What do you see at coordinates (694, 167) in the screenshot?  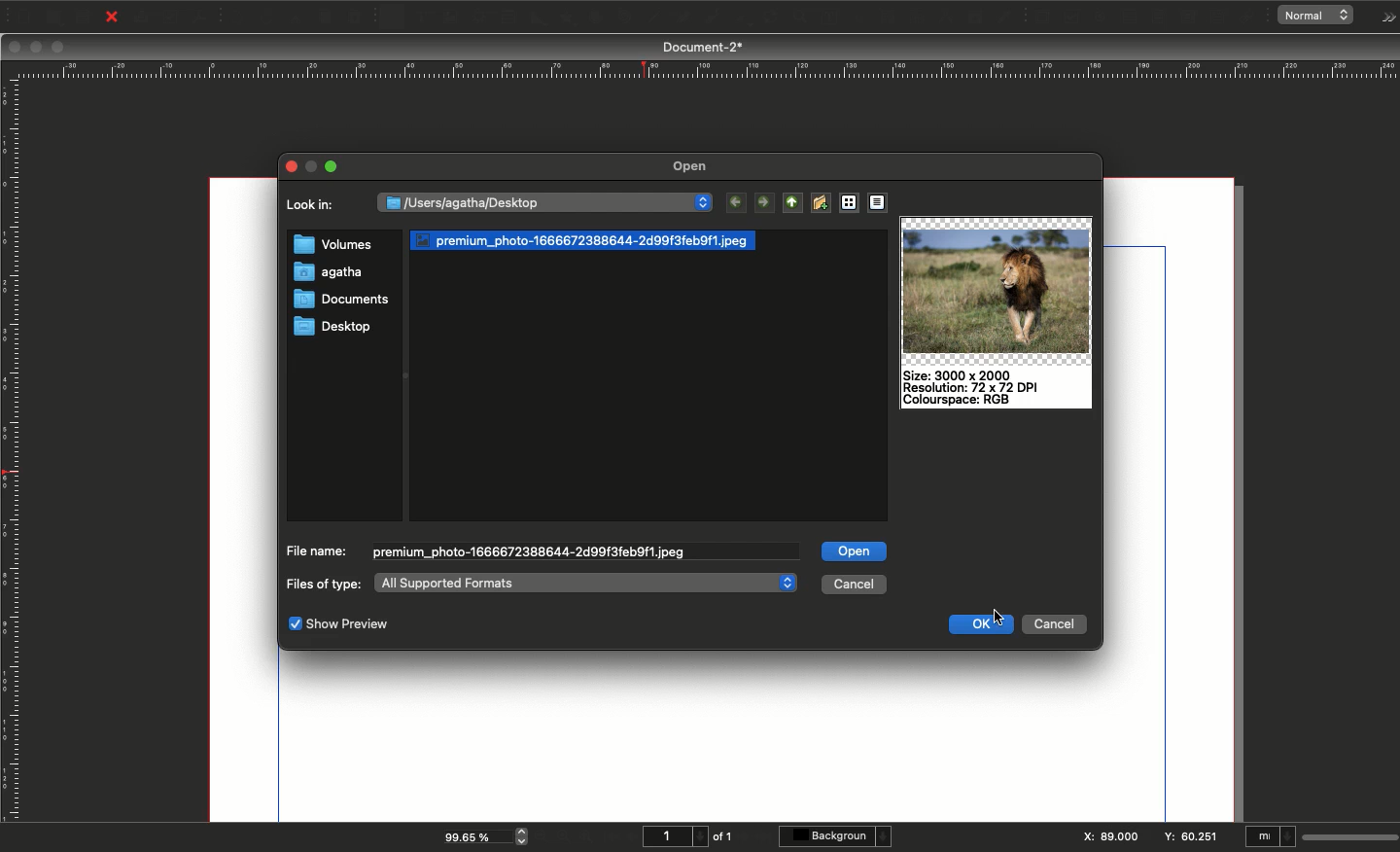 I see `Open` at bounding box center [694, 167].